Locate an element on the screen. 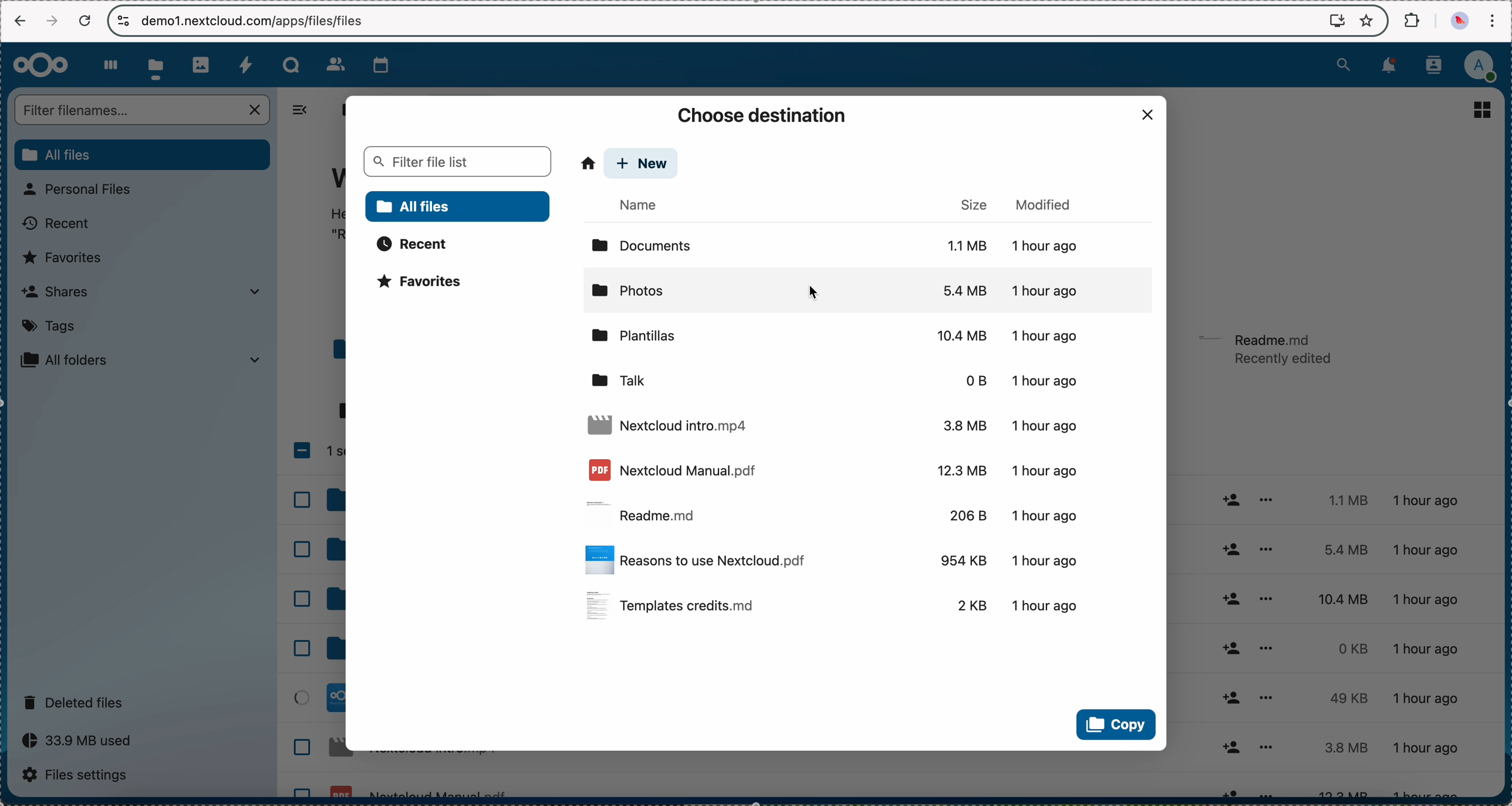  different sizes is located at coordinates (1336, 644).